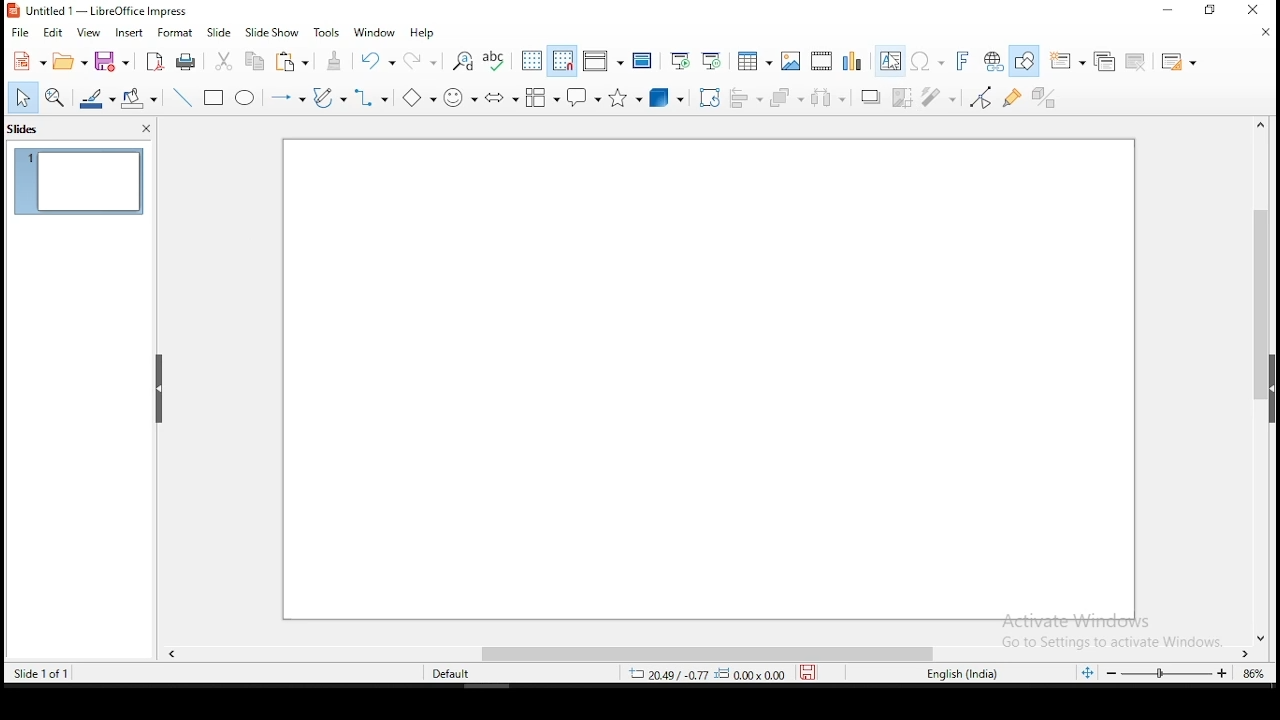  What do you see at coordinates (852, 60) in the screenshot?
I see `insert chart` at bounding box center [852, 60].